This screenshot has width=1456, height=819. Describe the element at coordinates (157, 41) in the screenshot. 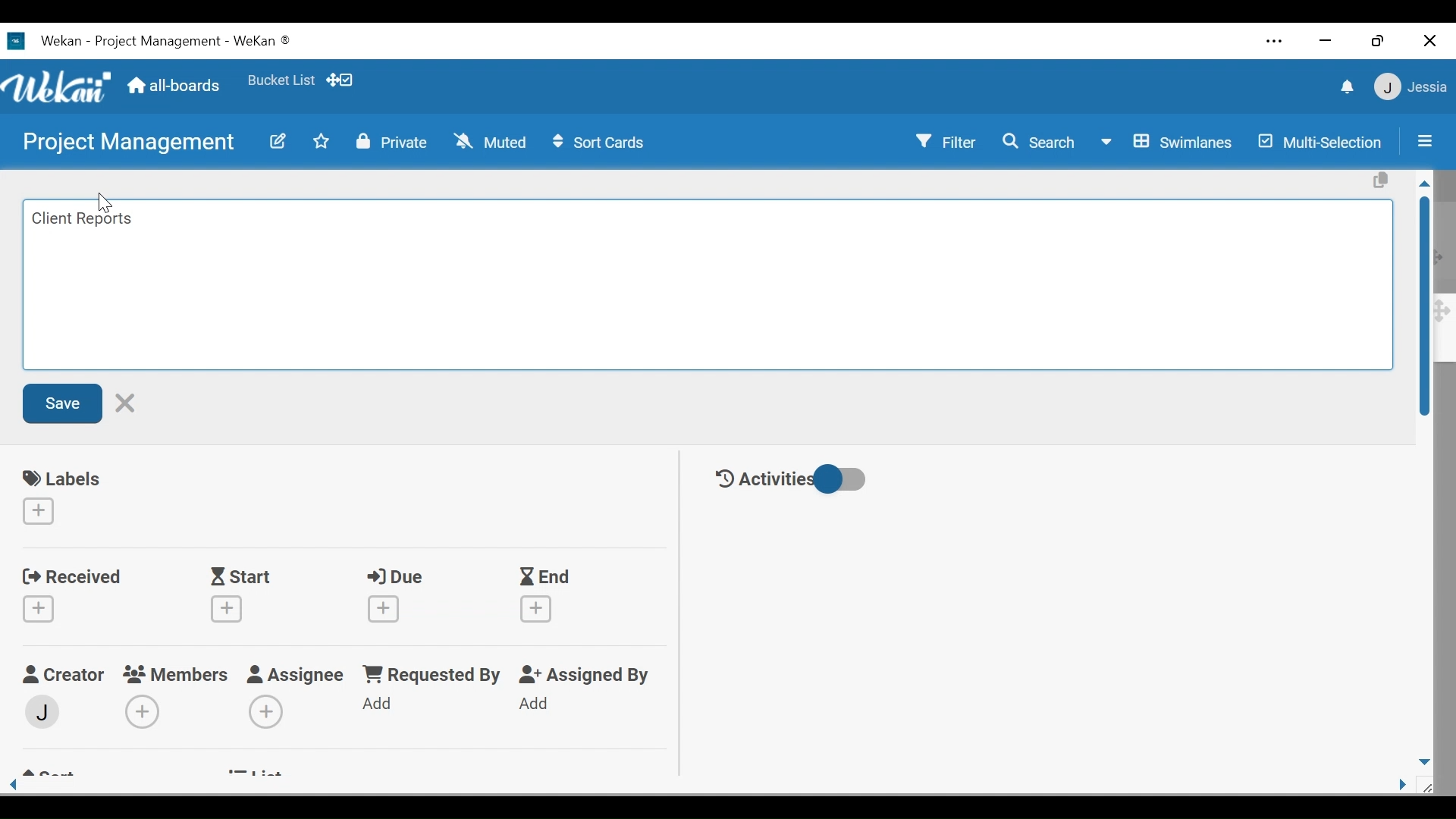

I see `Board Title` at that location.